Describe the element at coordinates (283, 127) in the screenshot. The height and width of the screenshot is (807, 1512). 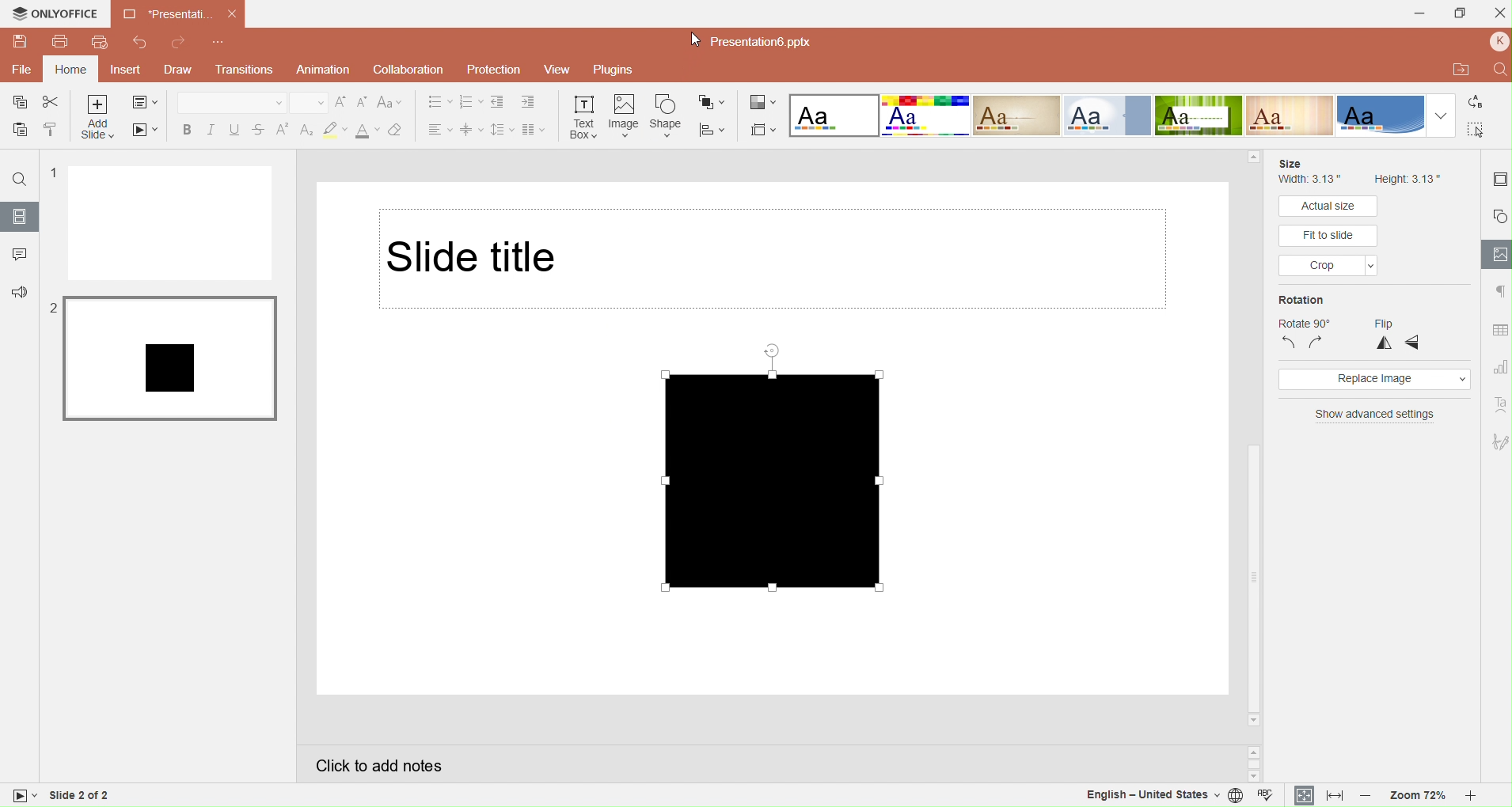
I see `Superscript` at that location.